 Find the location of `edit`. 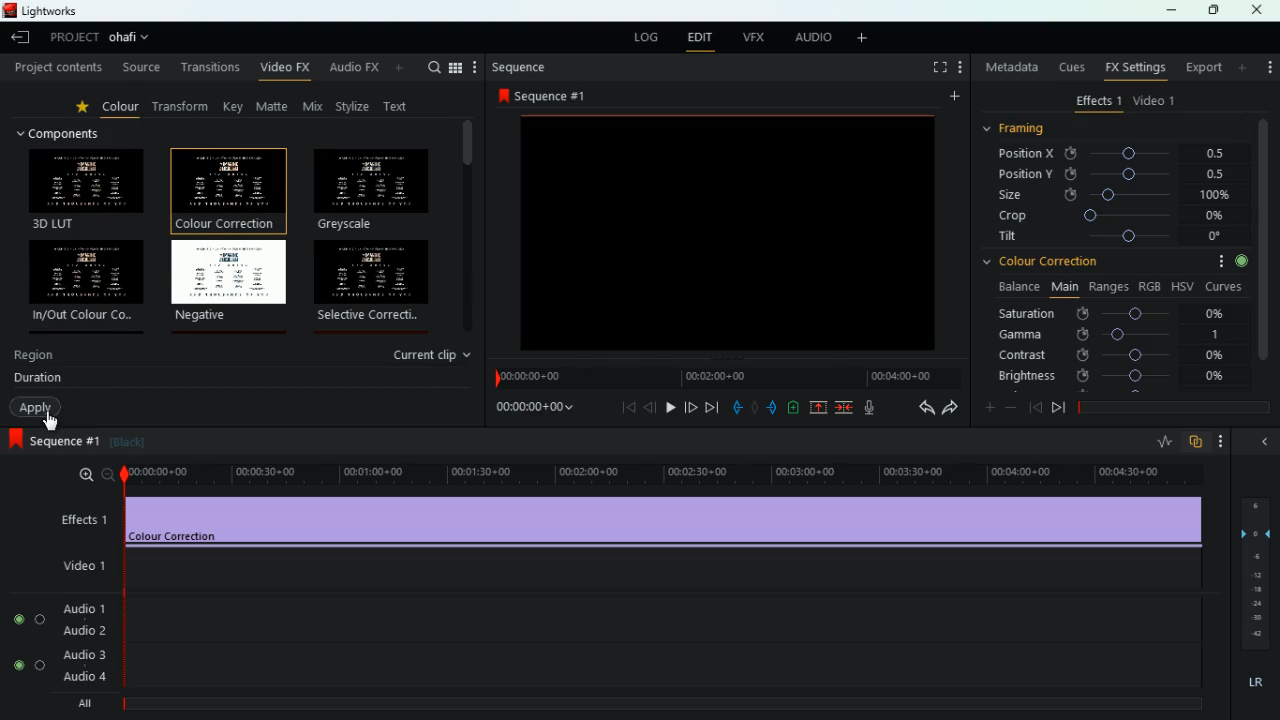

edit is located at coordinates (701, 38).